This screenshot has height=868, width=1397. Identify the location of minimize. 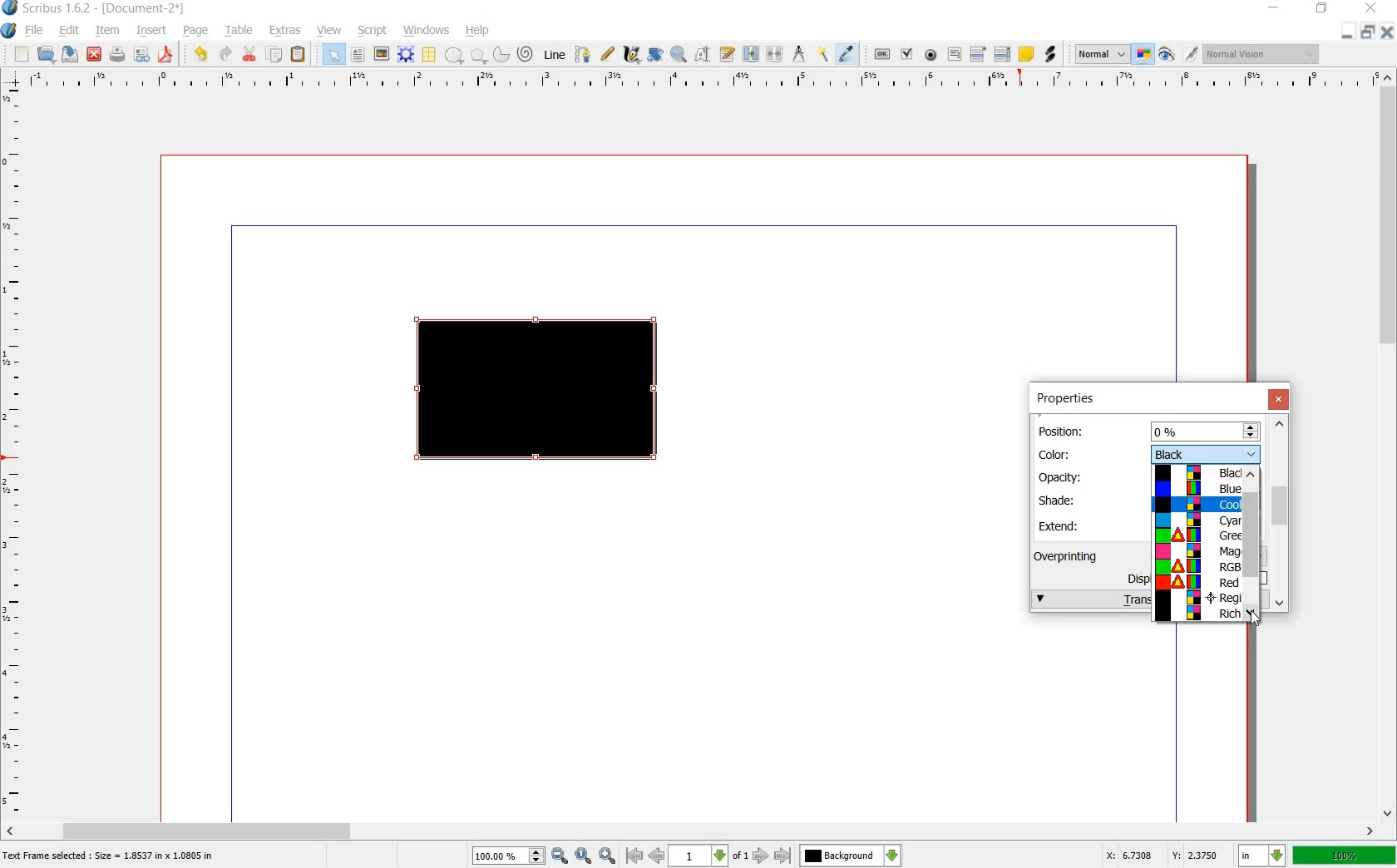
(1275, 8).